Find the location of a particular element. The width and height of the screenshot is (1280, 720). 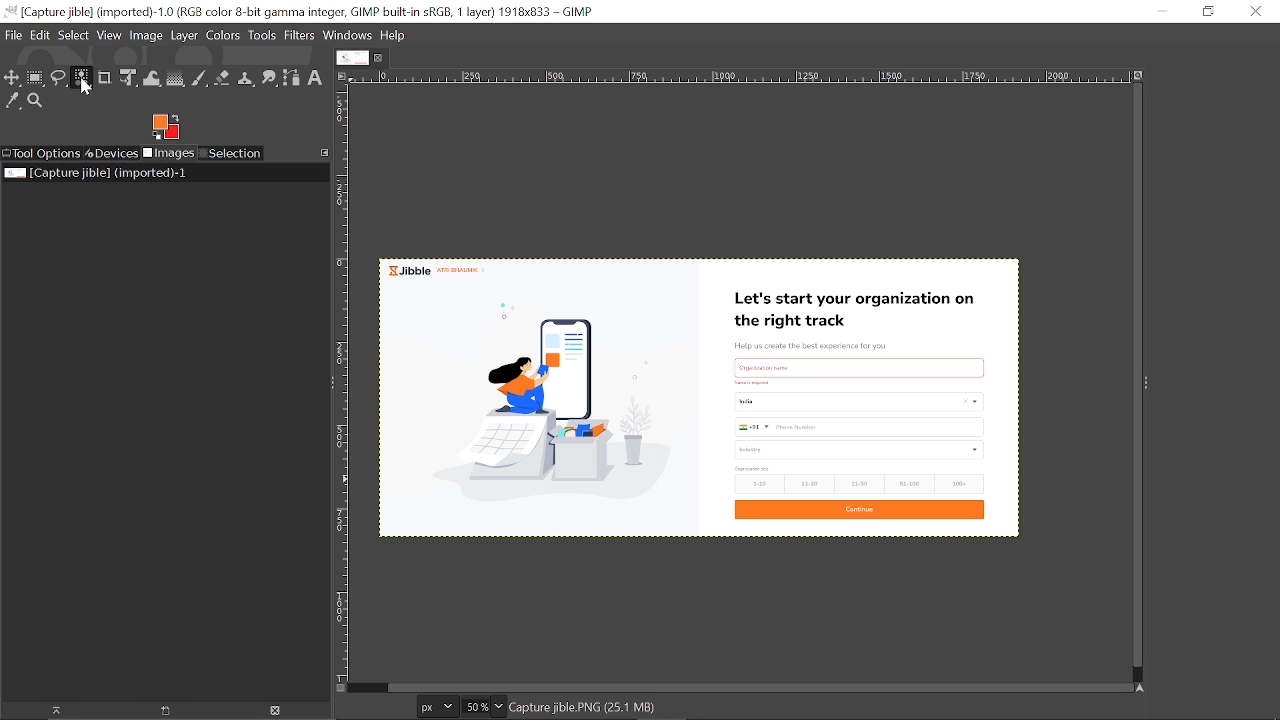

Images is located at coordinates (168, 154).